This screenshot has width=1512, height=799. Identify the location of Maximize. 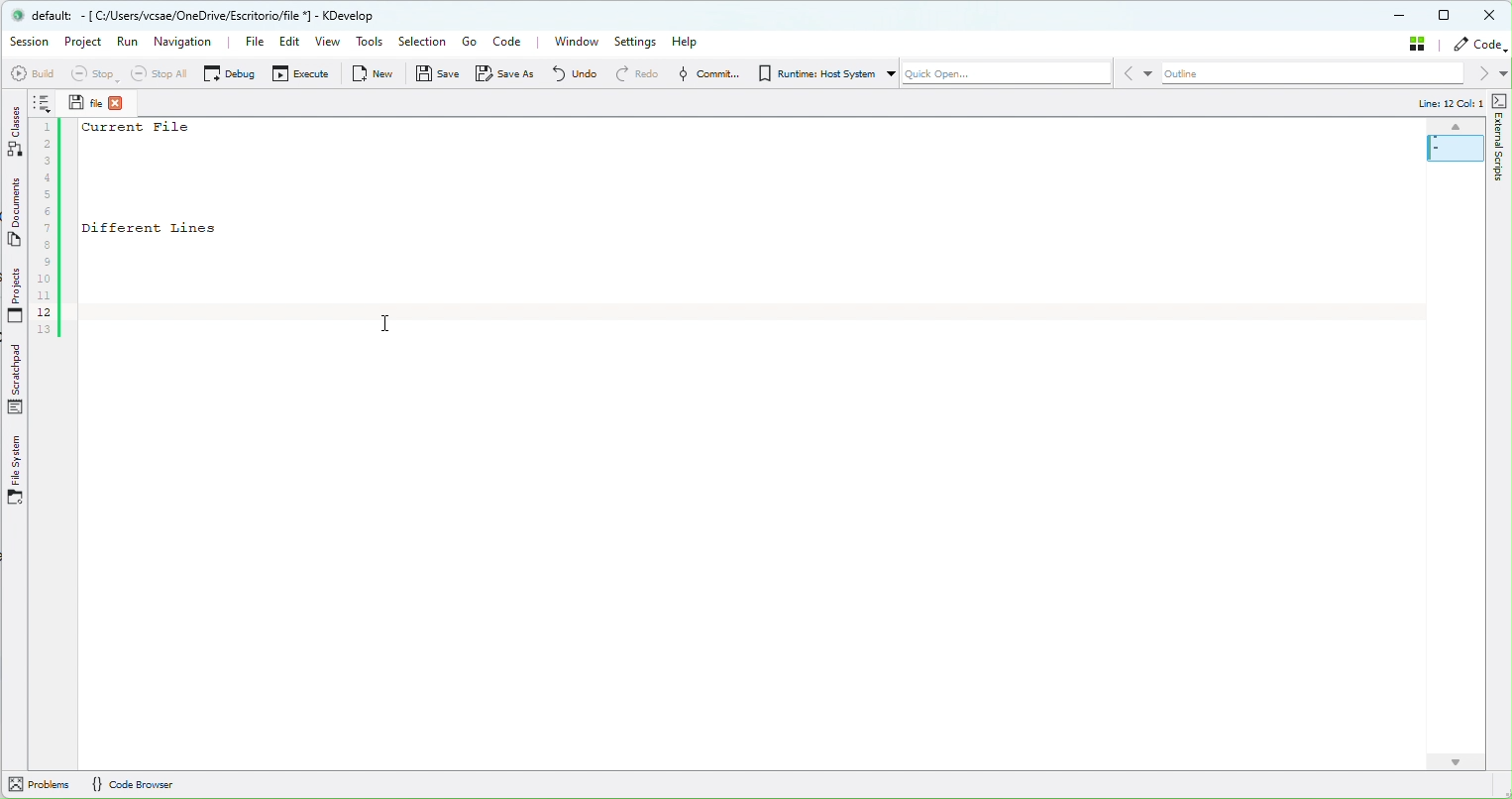
(1440, 14).